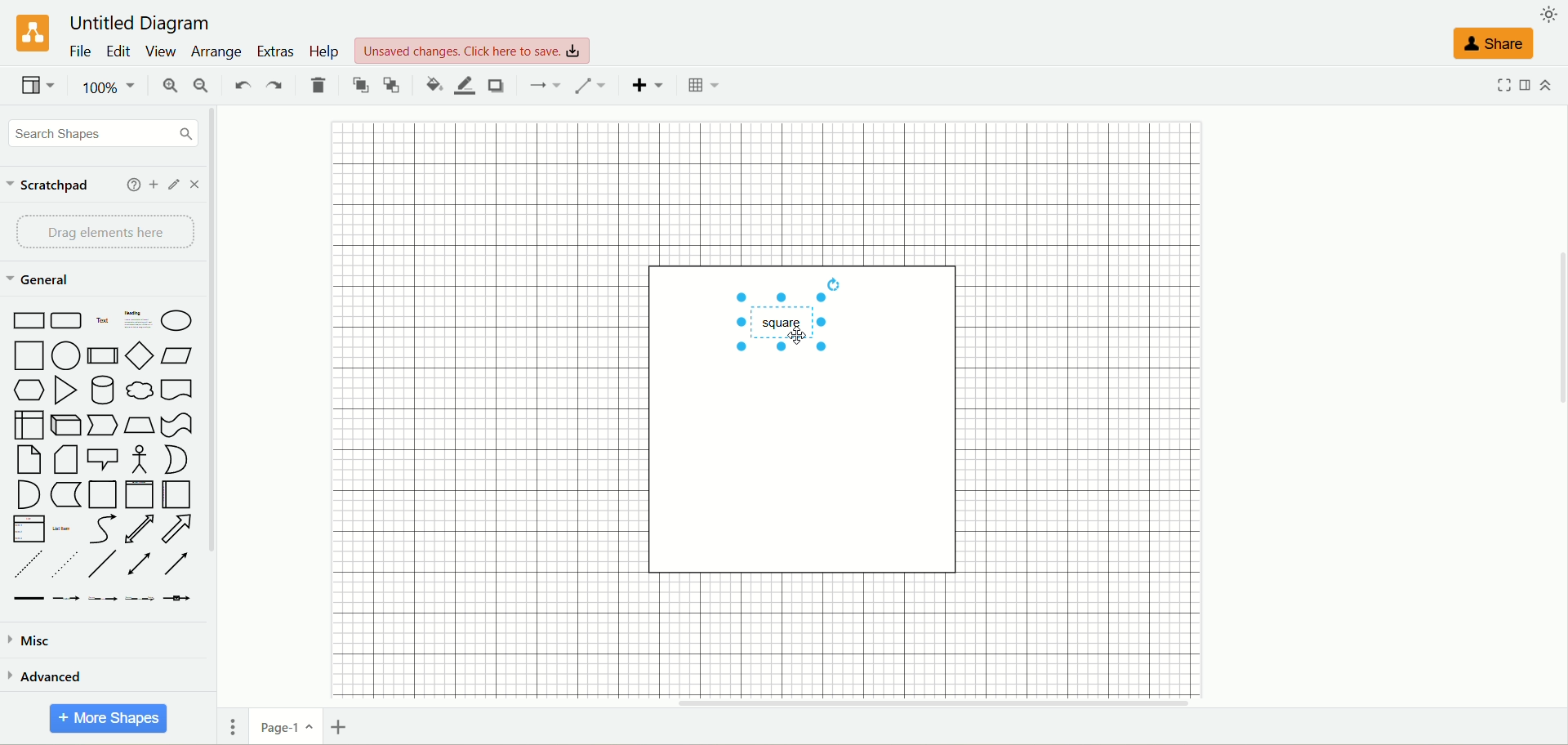 The height and width of the screenshot is (745, 1568). Describe the element at coordinates (784, 322) in the screenshot. I see `textbox` at that location.